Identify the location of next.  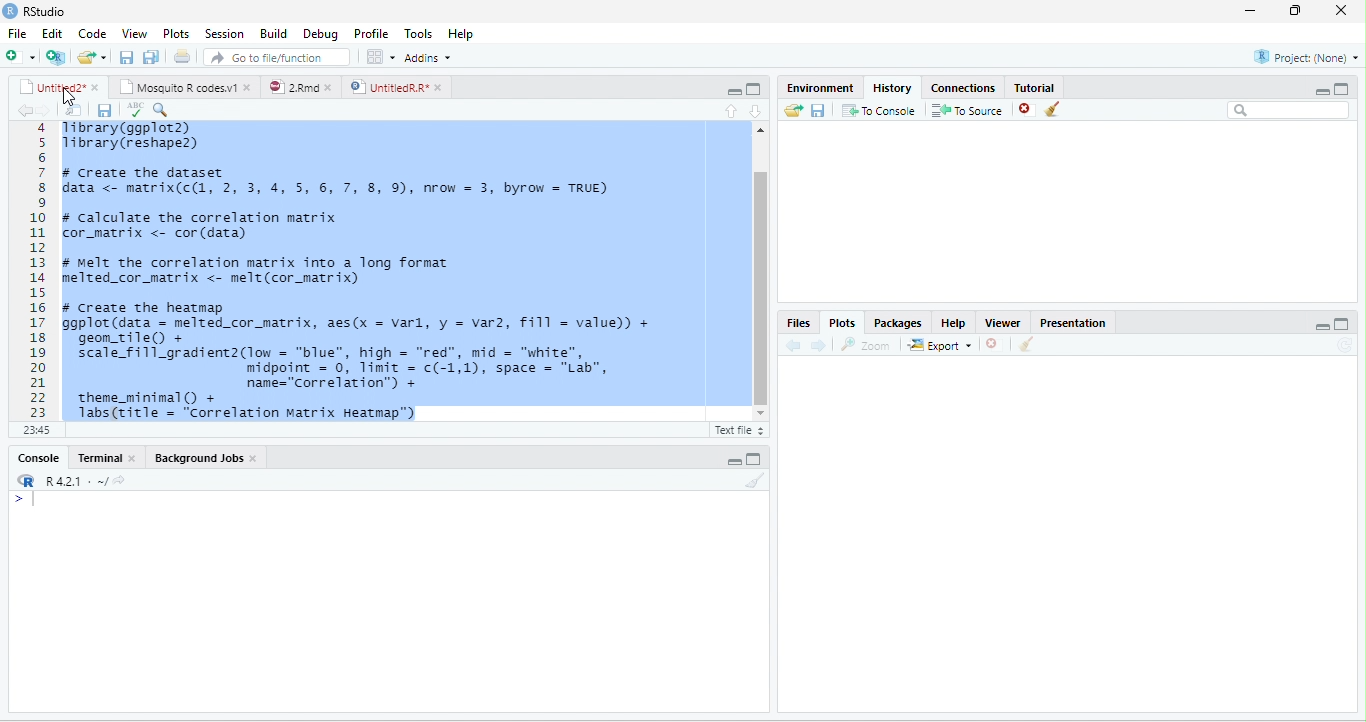
(824, 344).